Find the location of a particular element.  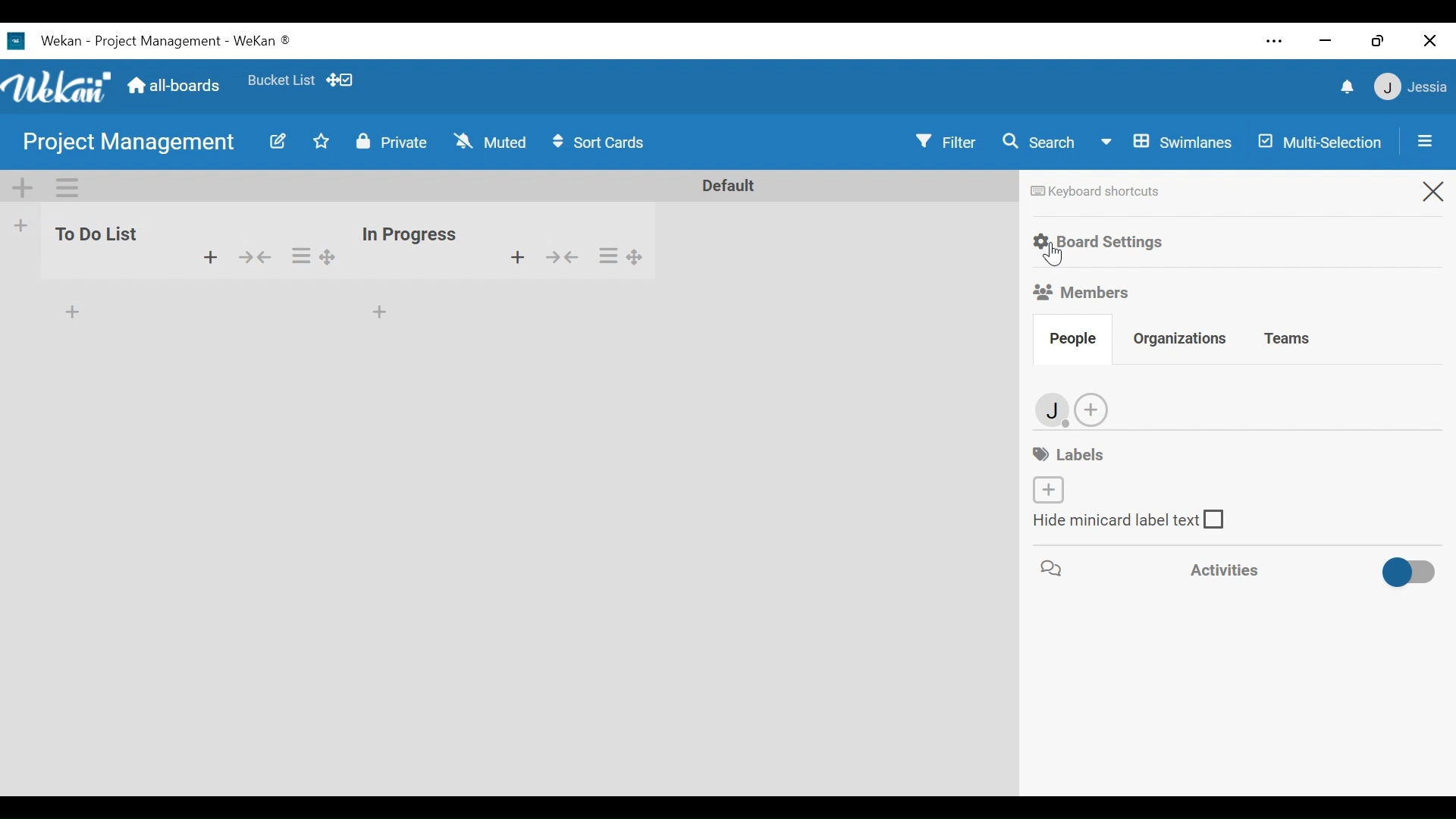

options is located at coordinates (311, 253).